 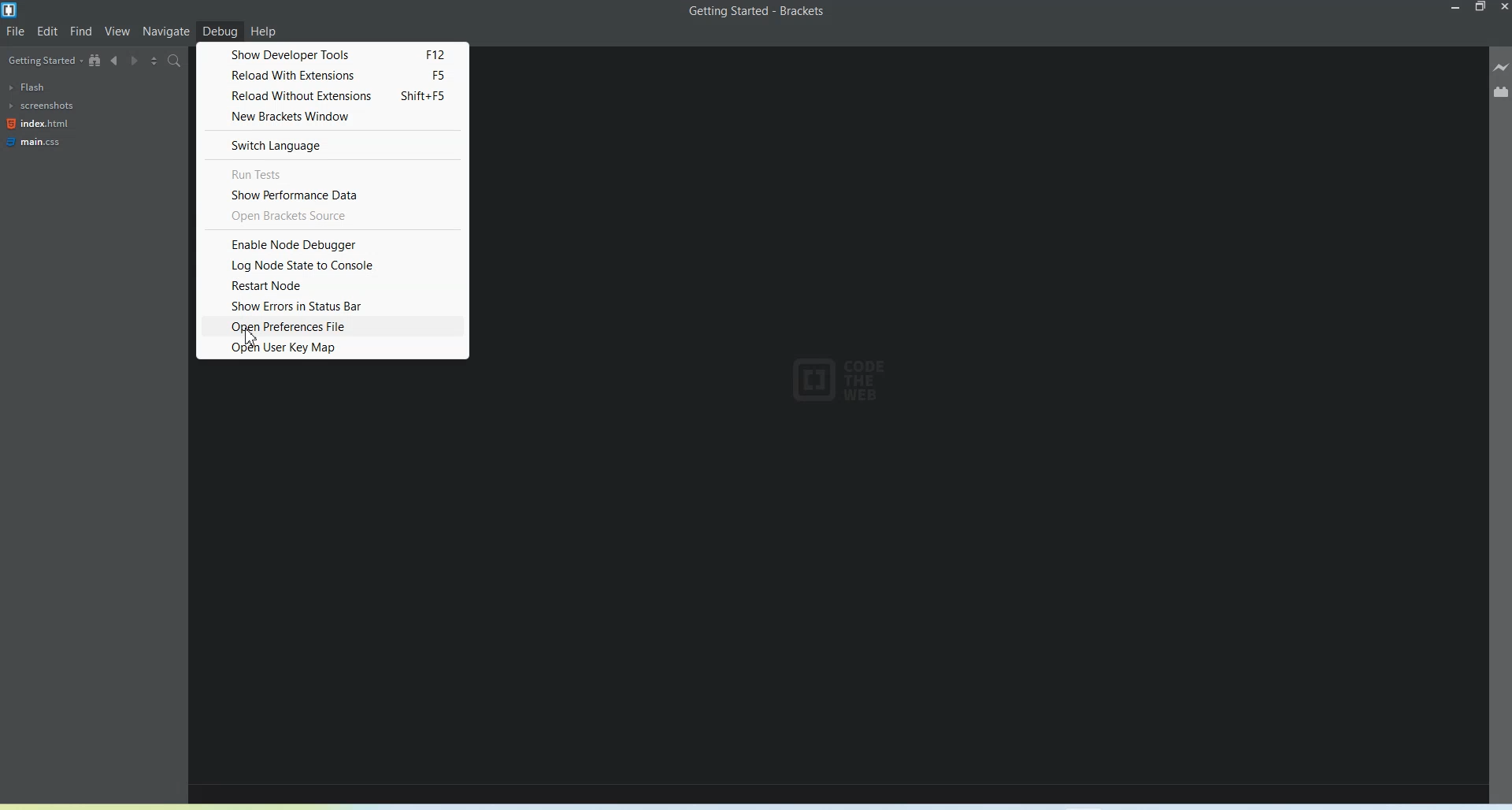 What do you see at coordinates (220, 30) in the screenshot?
I see `Debug` at bounding box center [220, 30].